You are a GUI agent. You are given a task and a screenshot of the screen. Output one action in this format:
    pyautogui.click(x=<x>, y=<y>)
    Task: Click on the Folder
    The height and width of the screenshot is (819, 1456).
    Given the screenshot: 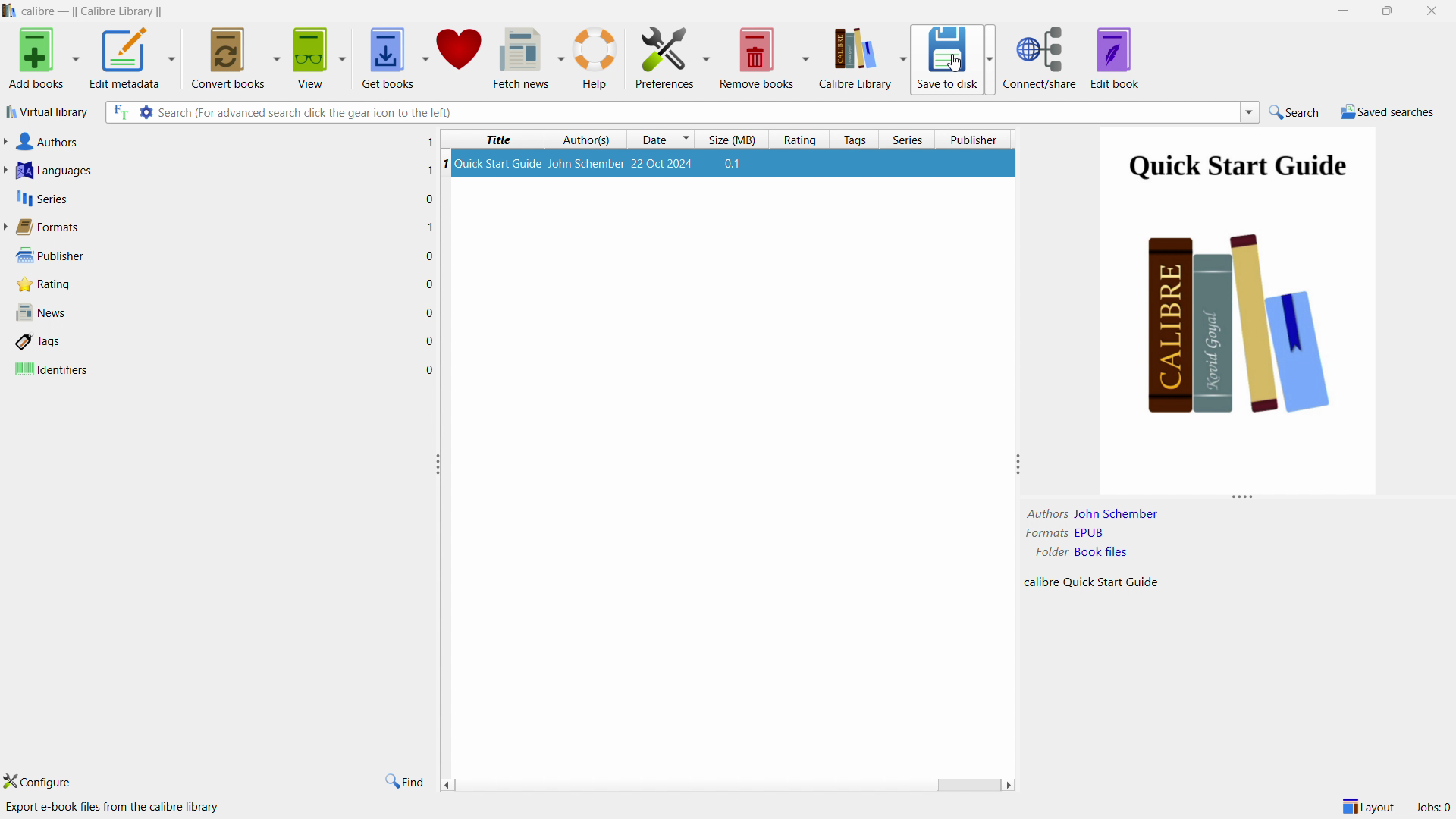 What is the action you would take?
    pyautogui.click(x=1042, y=551)
    